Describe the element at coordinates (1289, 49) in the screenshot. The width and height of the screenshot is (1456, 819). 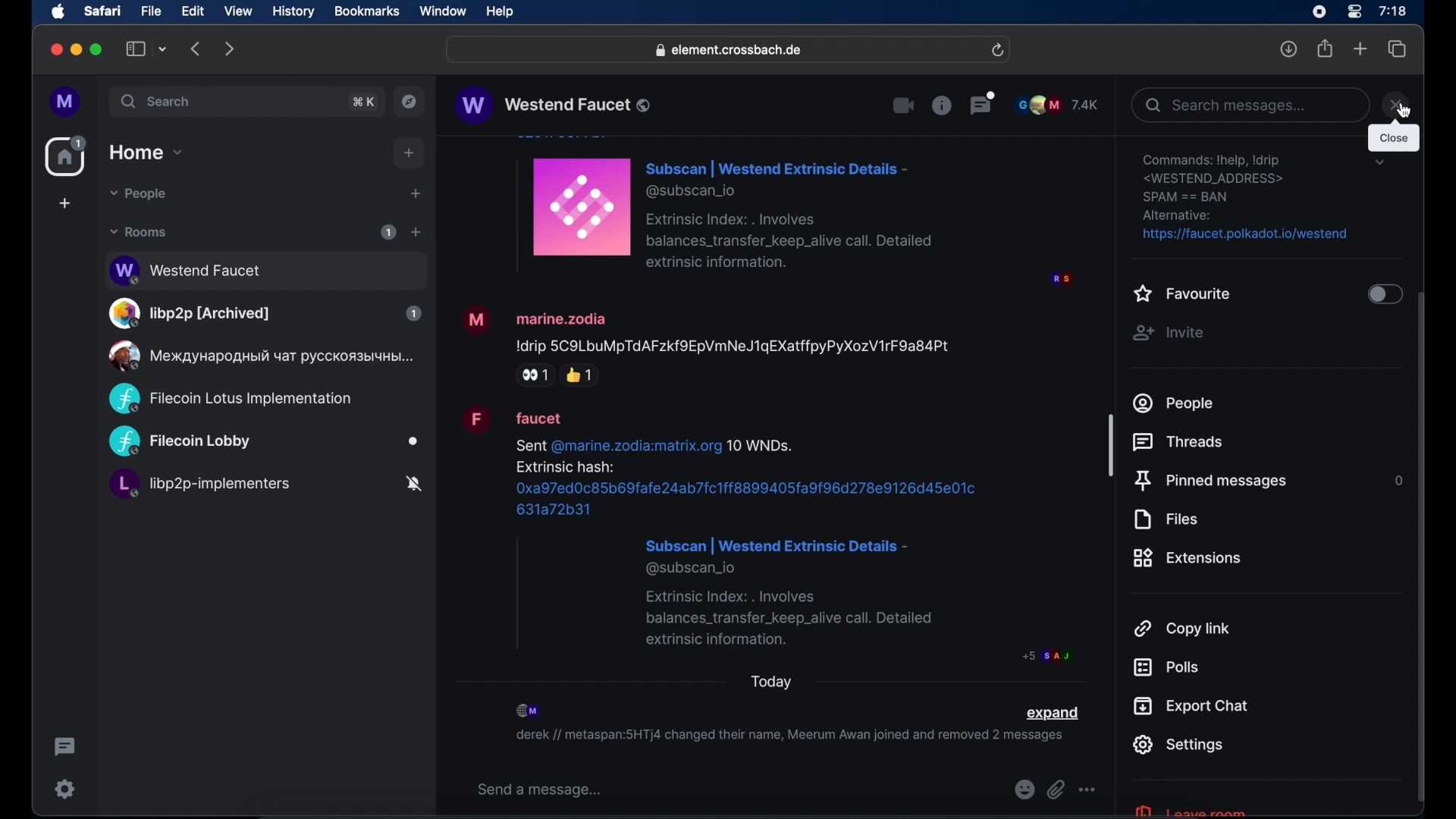
I see `downloads` at that location.